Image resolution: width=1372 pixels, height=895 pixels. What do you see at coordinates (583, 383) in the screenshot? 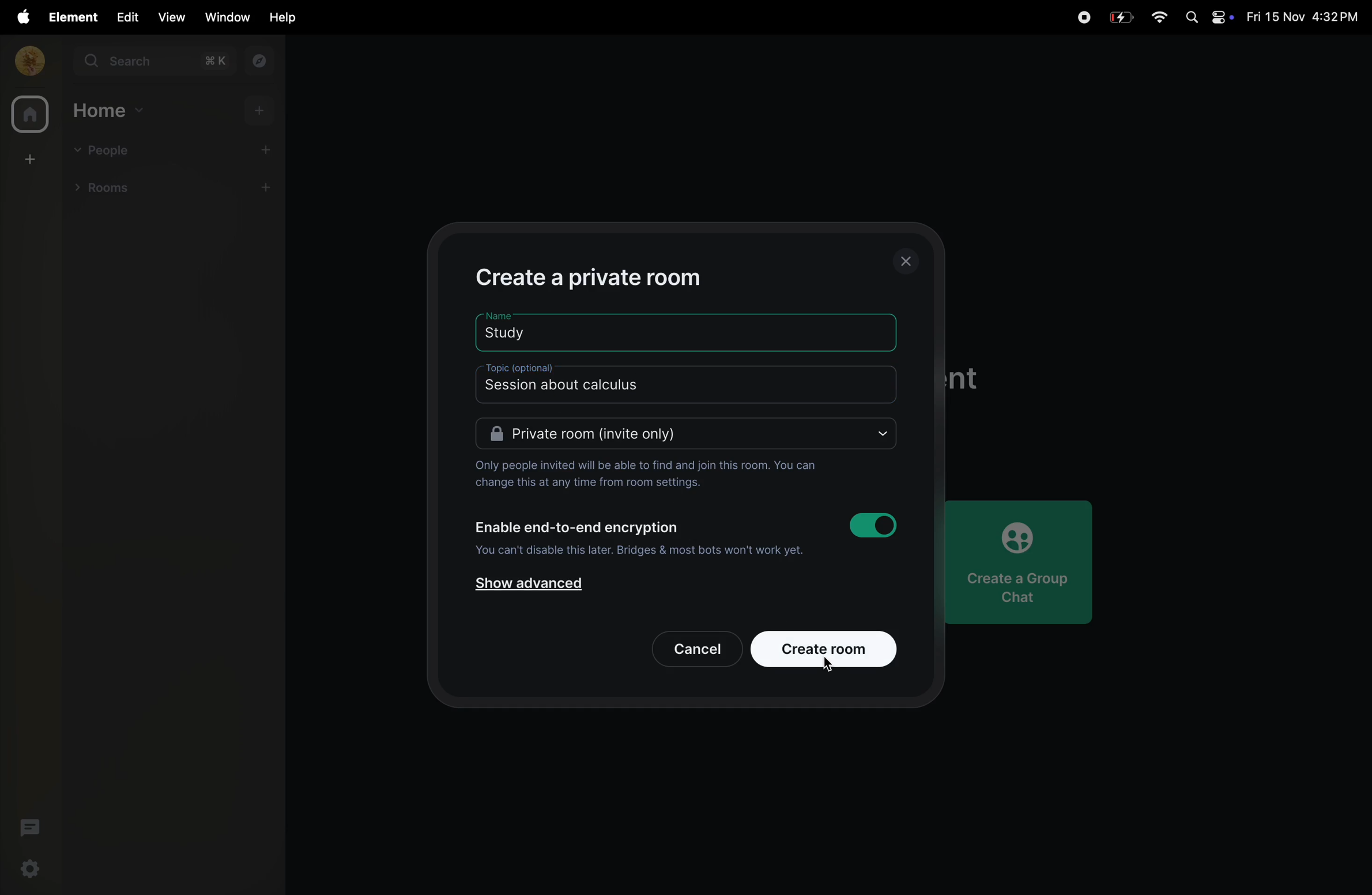
I see `description` at bounding box center [583, 383].